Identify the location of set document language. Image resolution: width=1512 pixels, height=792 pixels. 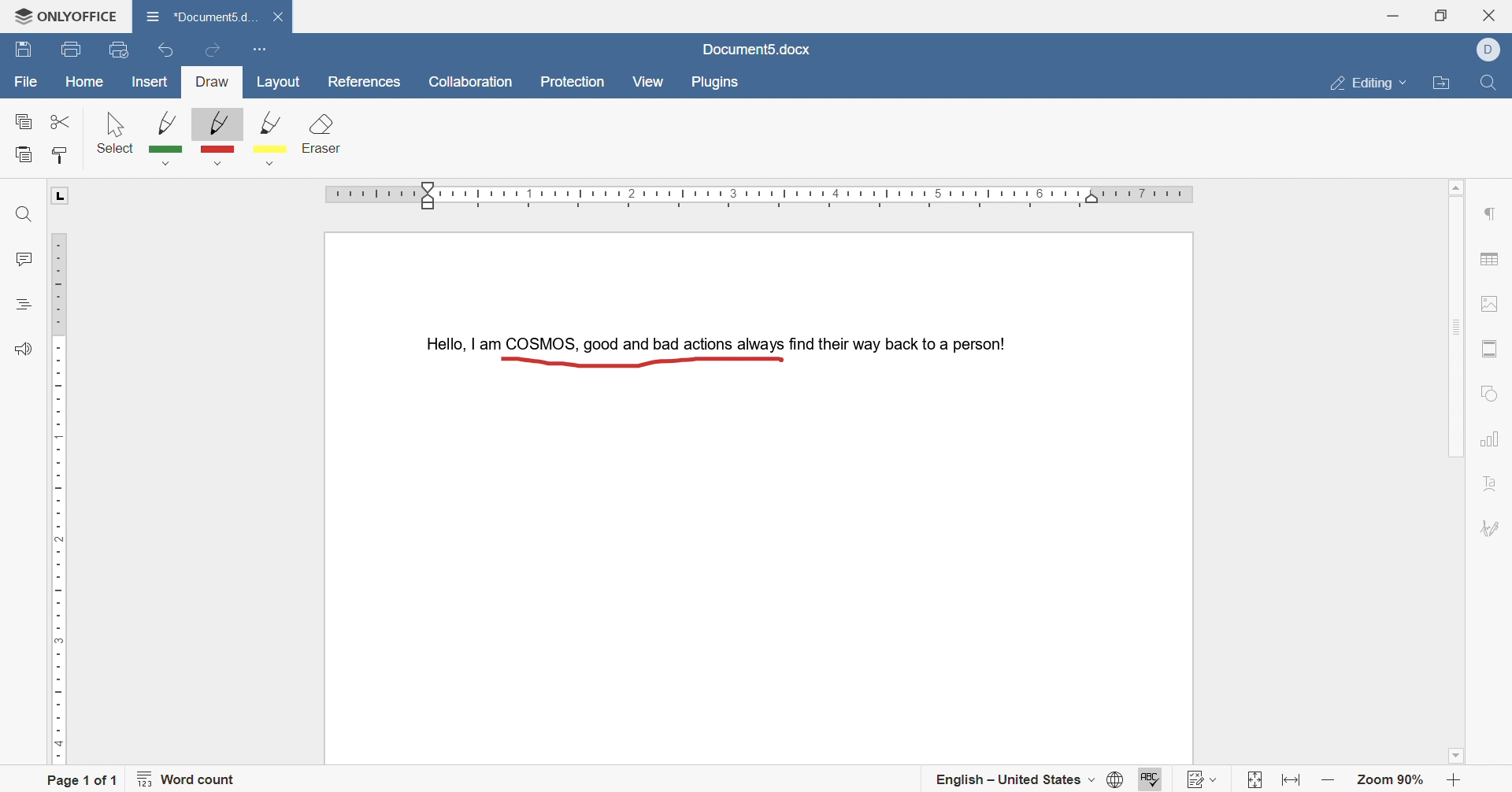
(1113, 781).